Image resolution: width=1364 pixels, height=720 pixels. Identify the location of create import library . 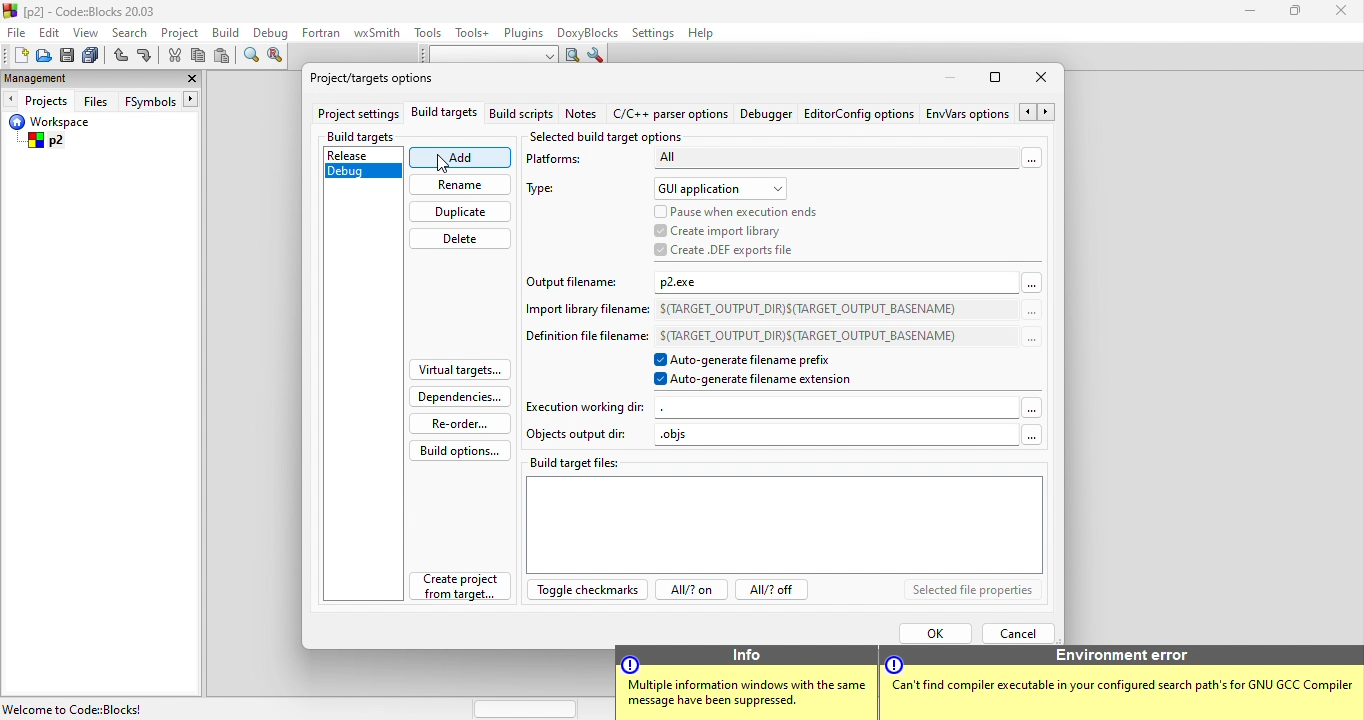
(739, 231).